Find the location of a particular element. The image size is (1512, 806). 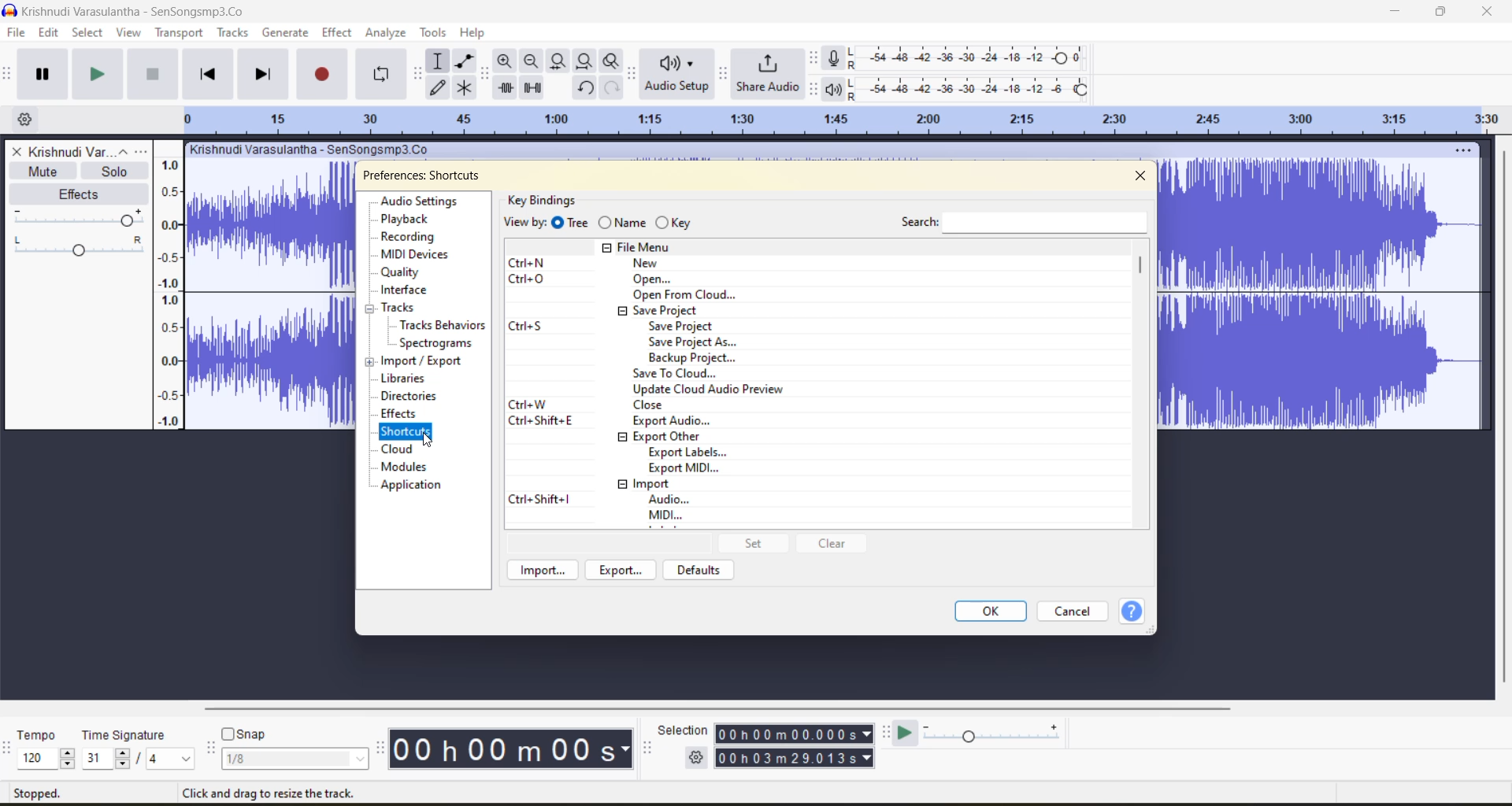

Close is located at coordinates (1138, 182).